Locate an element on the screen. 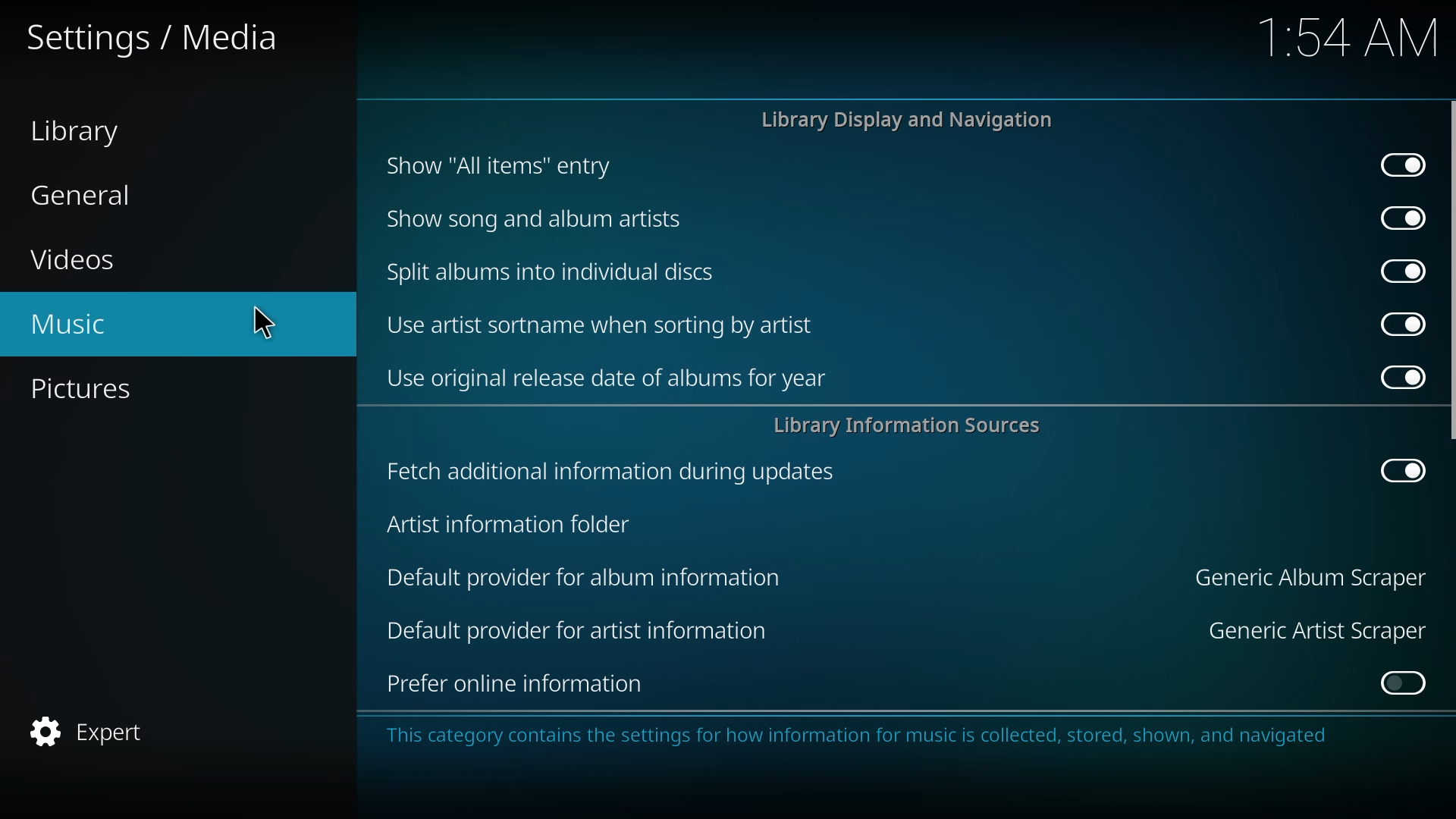 The width and height of the screenshot is (1456, 819). use artist sortname when sorting is located at coordinates (610, 326).